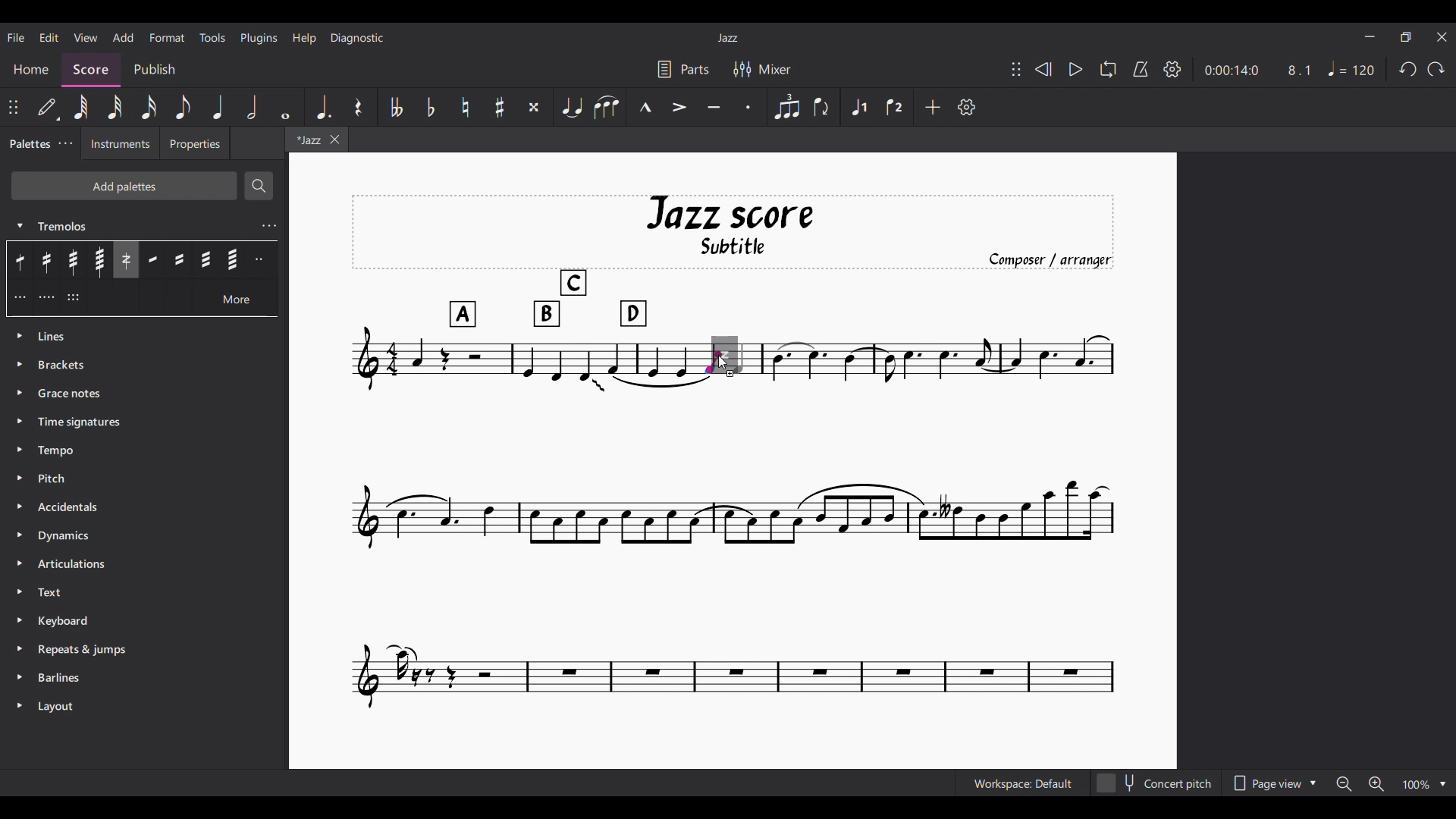 The width and height of the screenshot is (1456, 819). Describe the element at coordinates (714, 107) in the screenshot. I see `Tenuto` at that location.